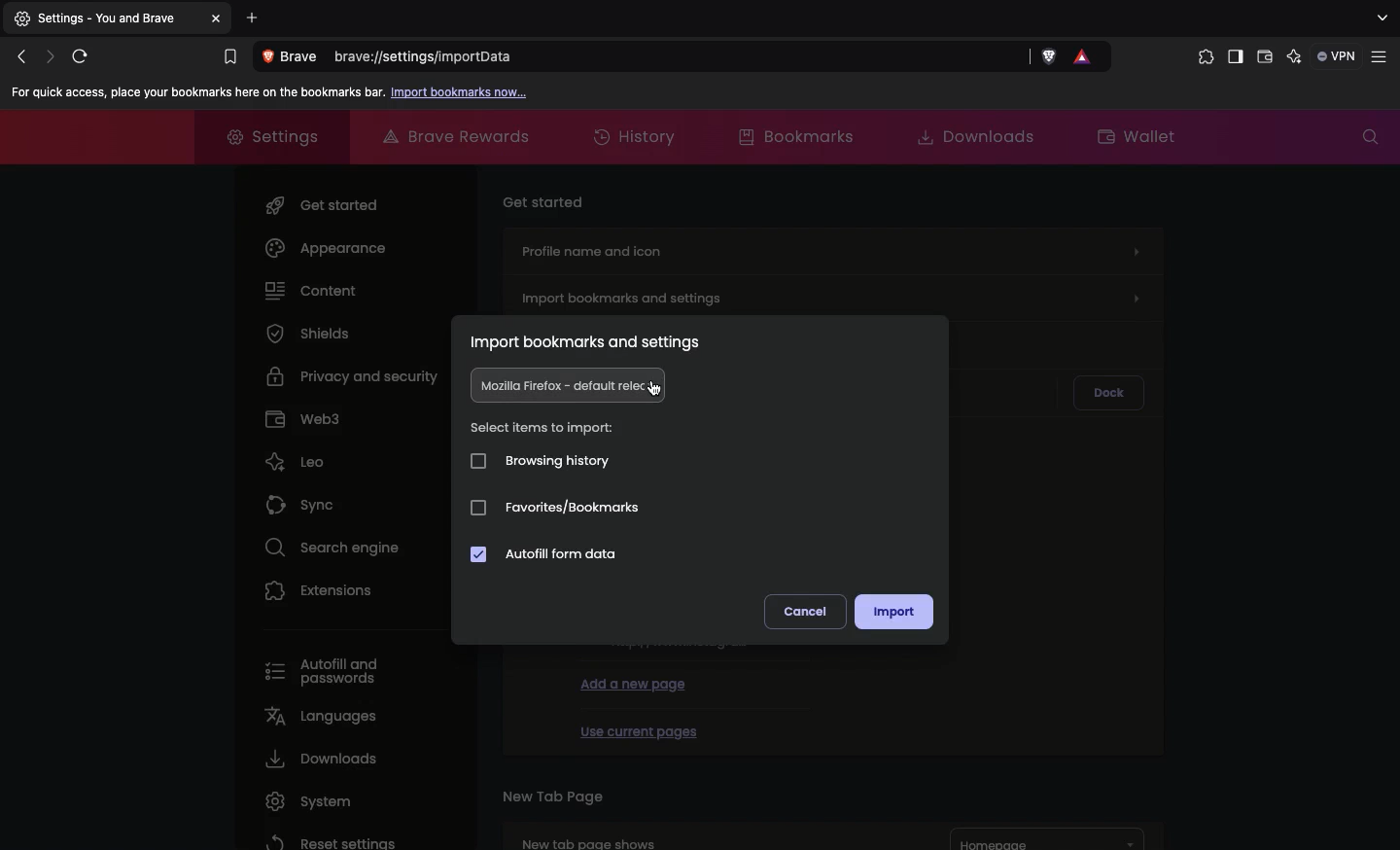 The image size is (1400, 850). What do you see at coordinates (326, 201) in the screenshot?
I see `Get started` at bounding box center [326, 201].